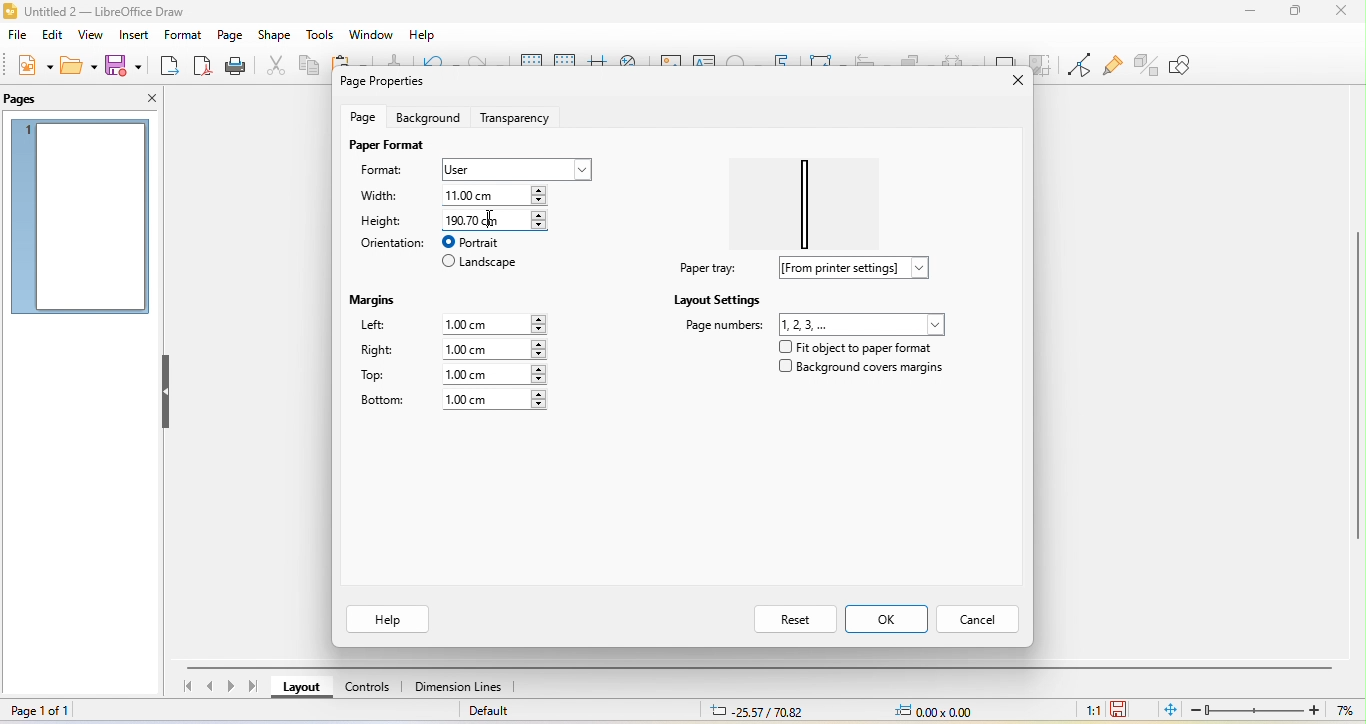 The width and height of the screenshot is (1366, 724). Describe the element at coordinates (1357, 380) in the screenshot. I see `vertical scroll bar` at that location.